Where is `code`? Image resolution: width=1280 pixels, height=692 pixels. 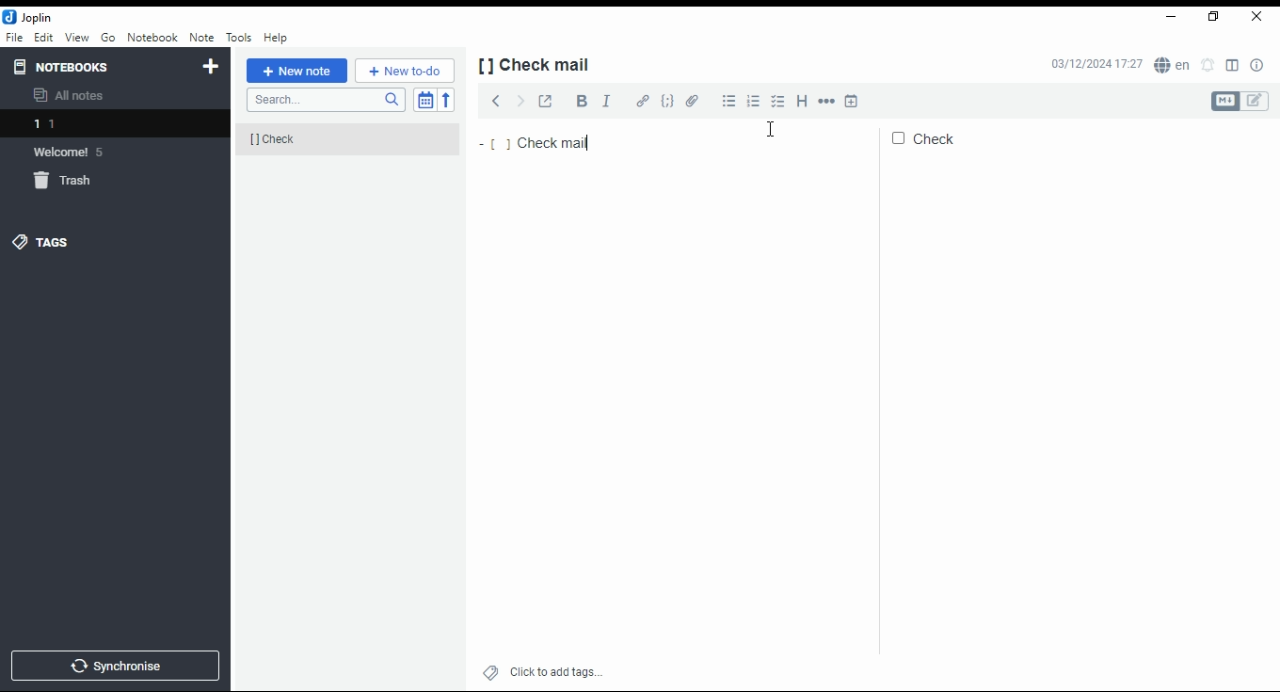 code is located at coordinates (668, 102).